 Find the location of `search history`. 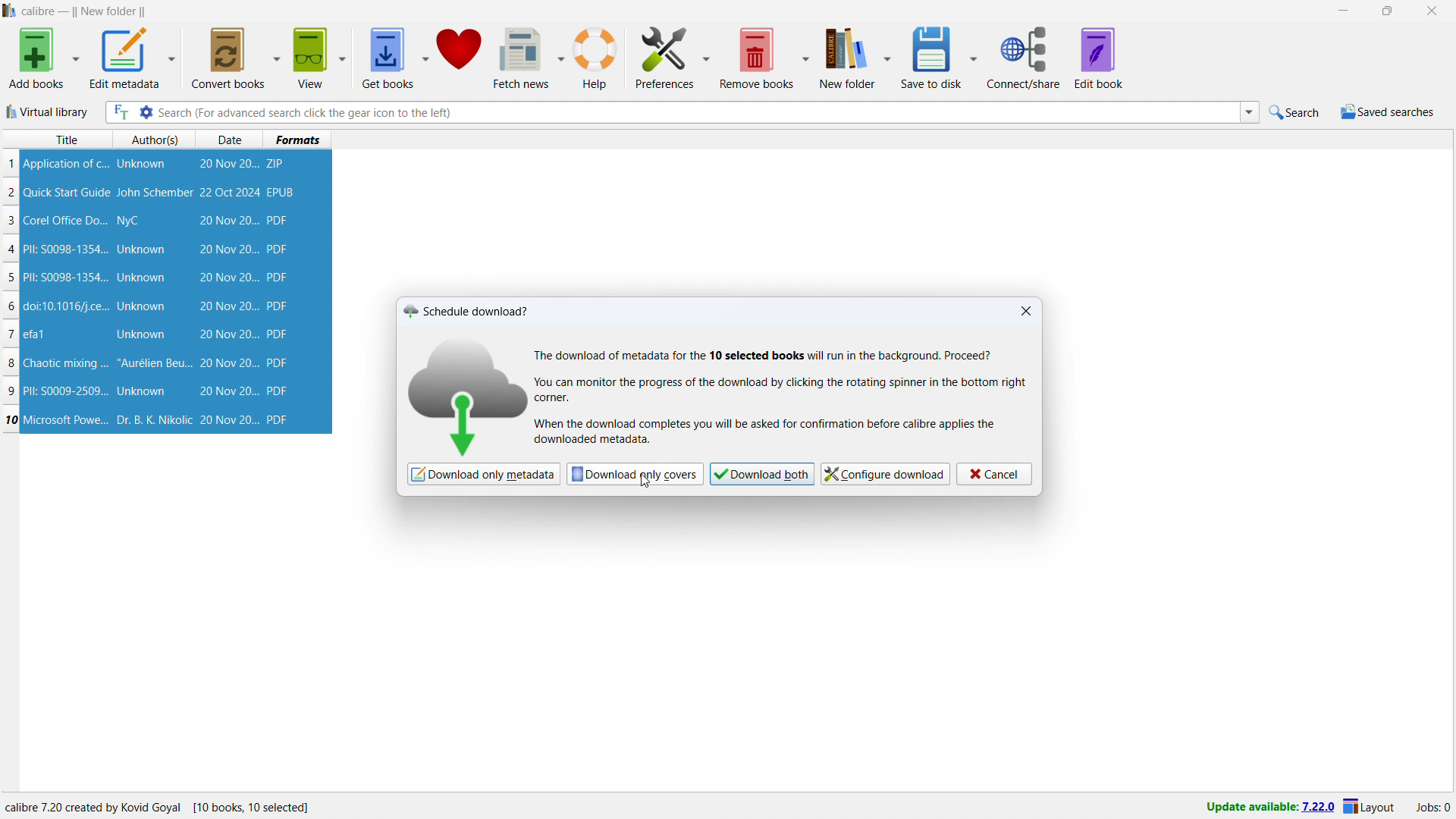

search history is located at coordinates (1249, 113).